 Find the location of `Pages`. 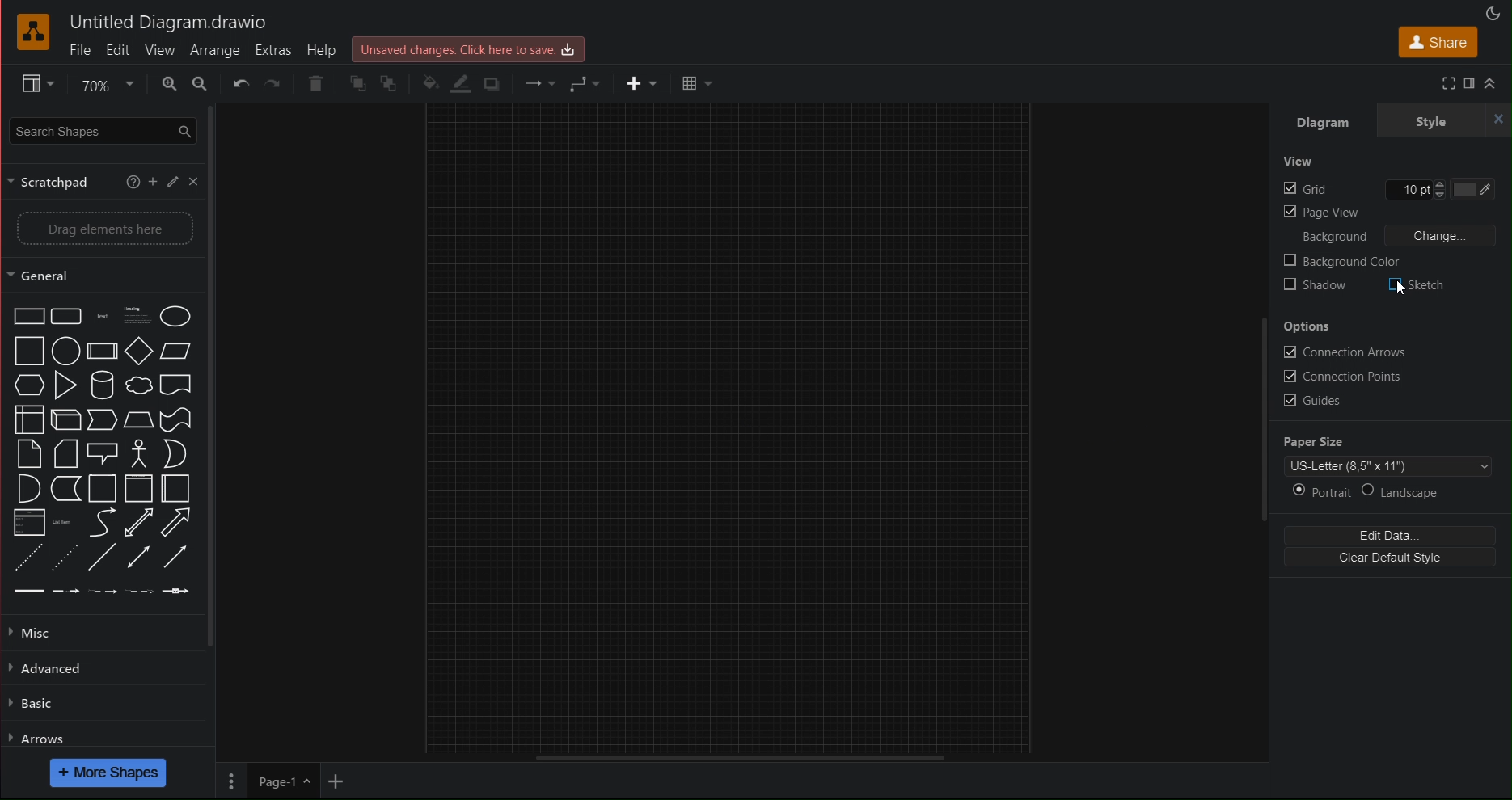

Pages is located at coordinates (231, 781).